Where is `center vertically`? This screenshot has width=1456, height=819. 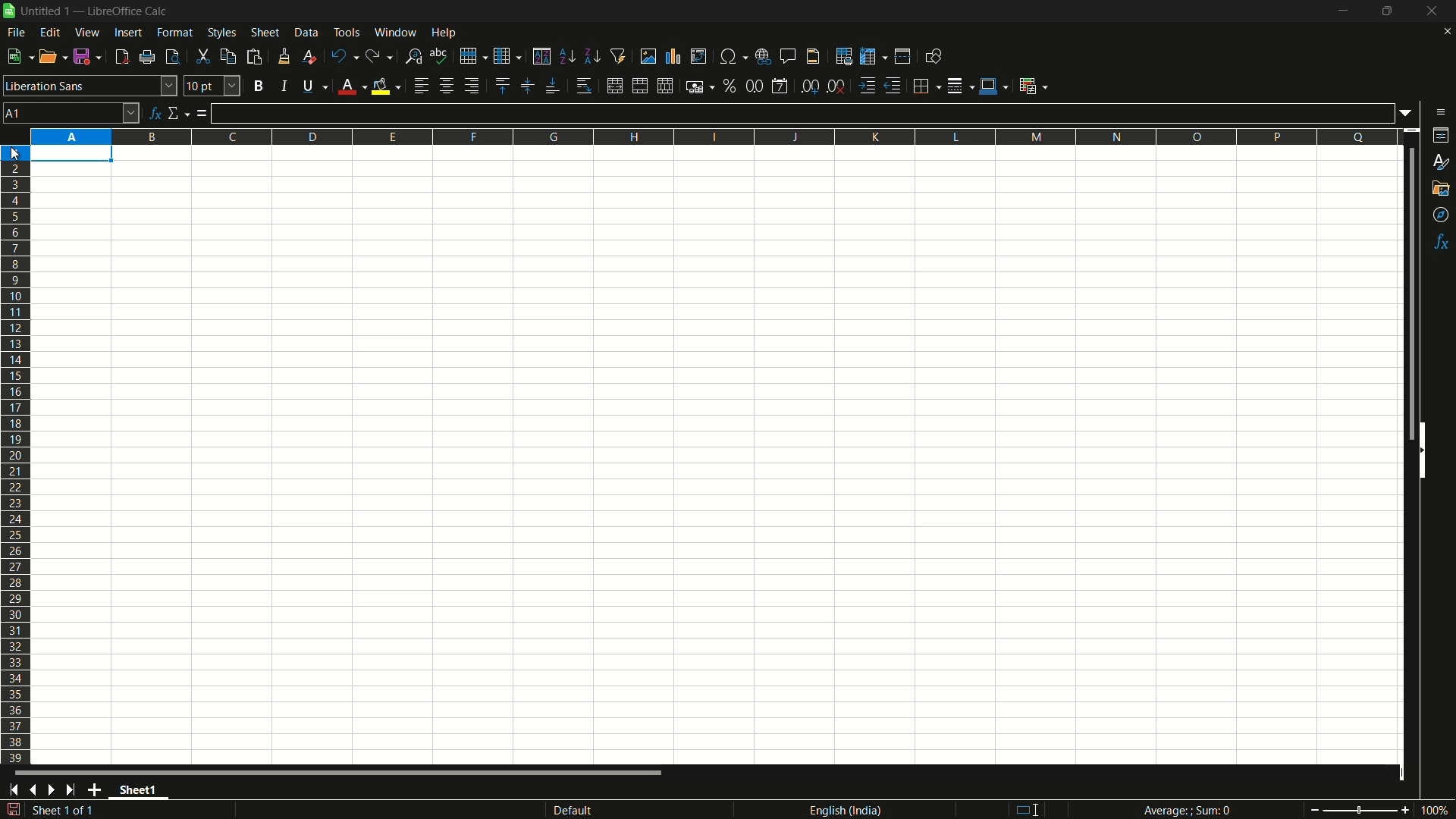
center vertically is located at coordinates (526, 86).